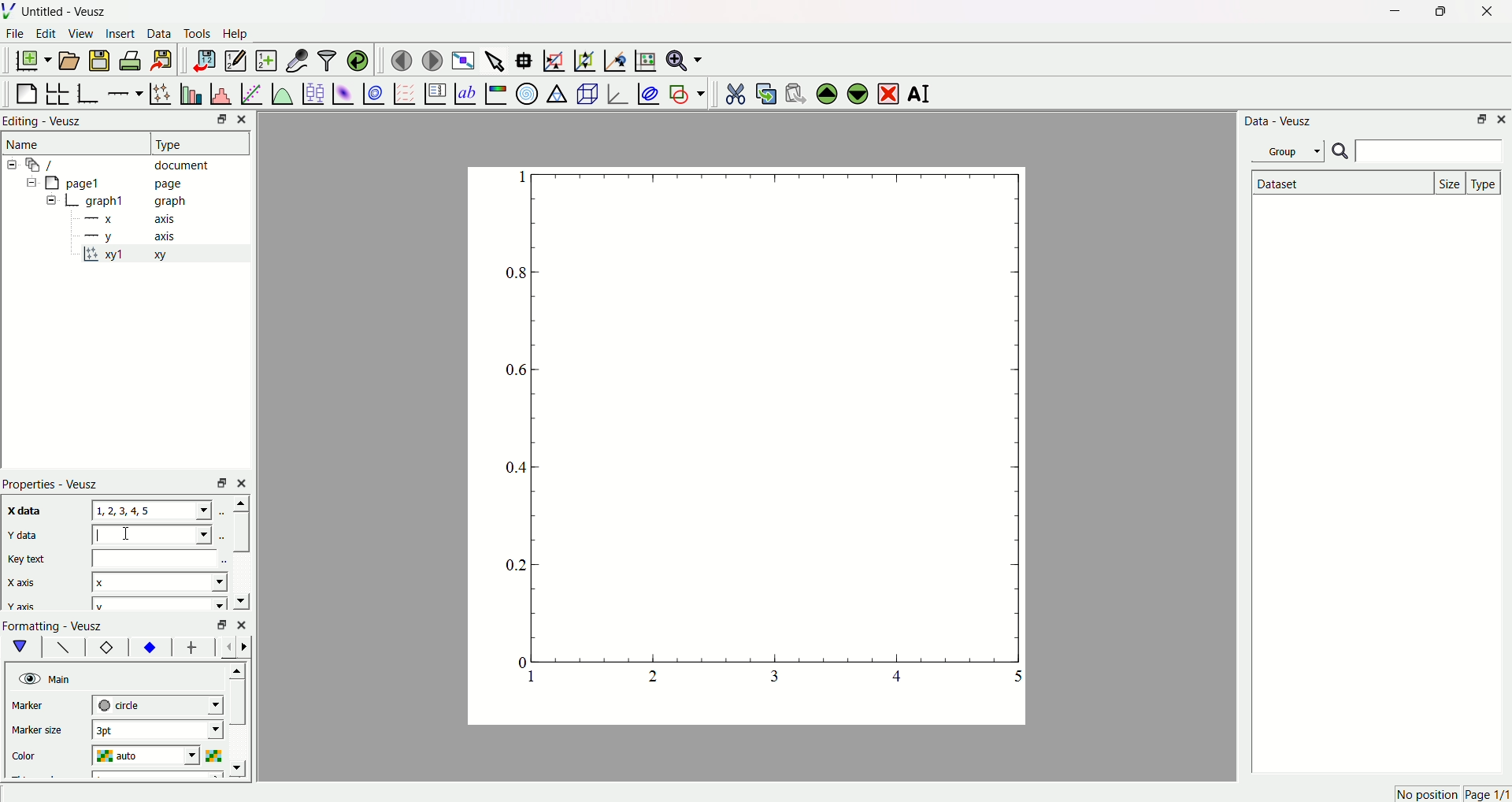  I want to click on base graphs, so click(90, 91).